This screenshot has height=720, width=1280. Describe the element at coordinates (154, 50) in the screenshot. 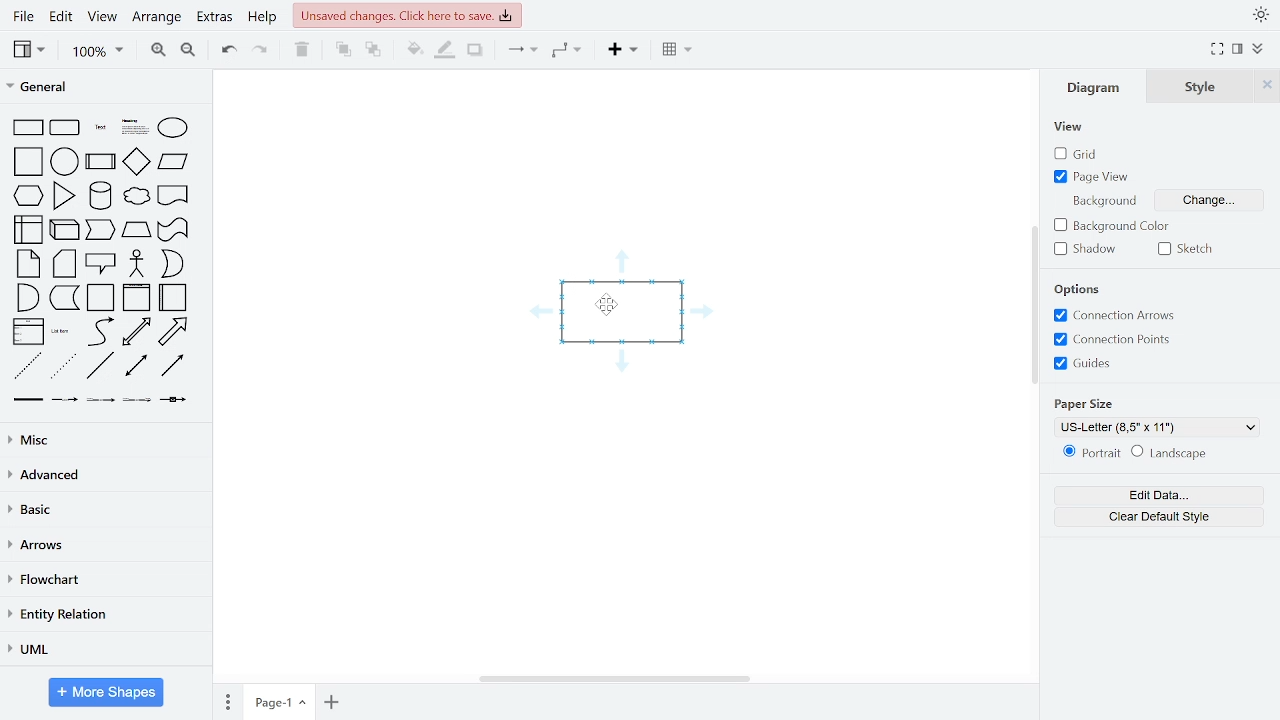

I see `zoom in` at that location.